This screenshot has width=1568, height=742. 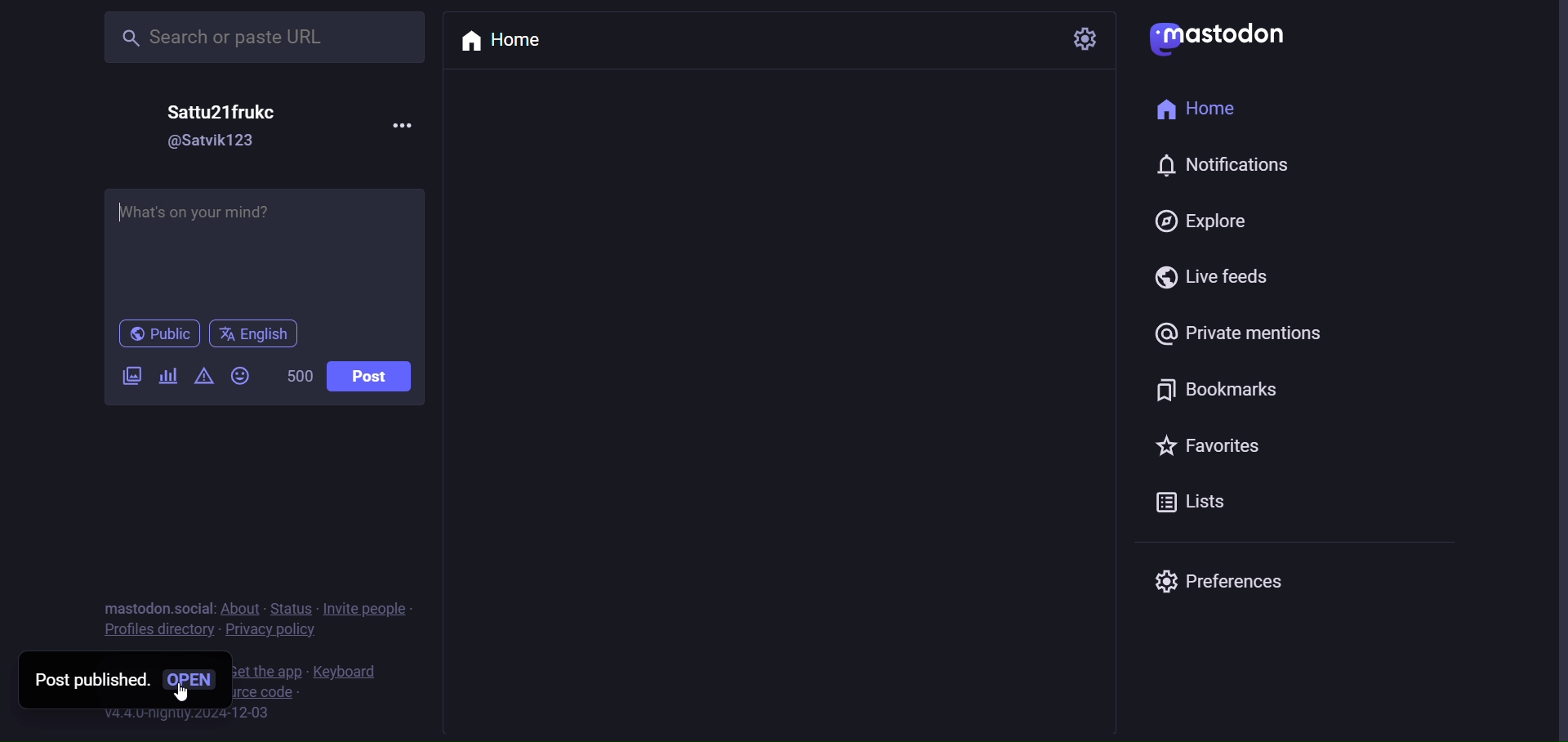 I want to click on status, so click(x=287, y=606).